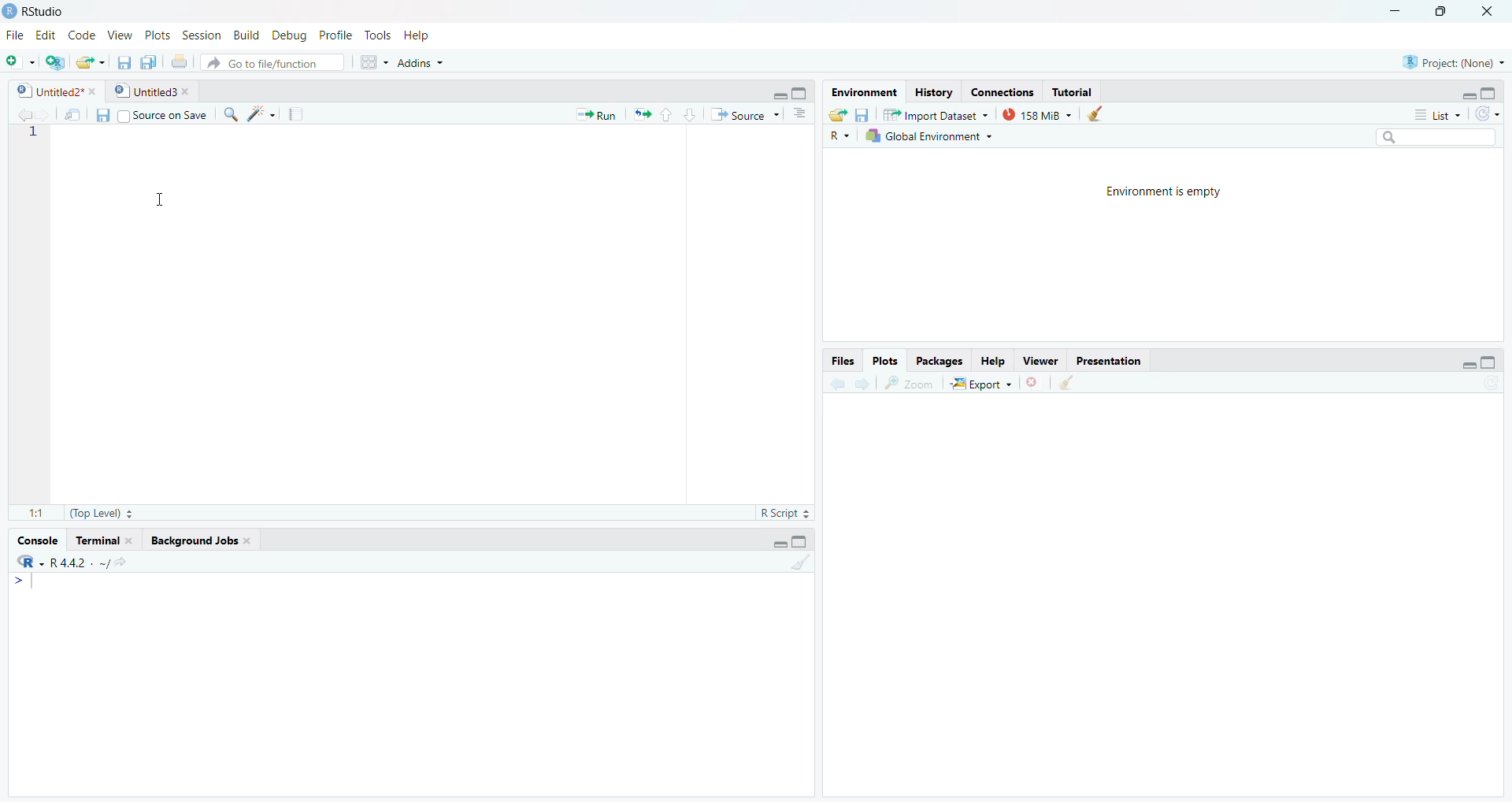  What do you see at coordinates (1075, 385) in the screenshot?
I see `Clear all viewer items` at bounding box center [1075, 385].